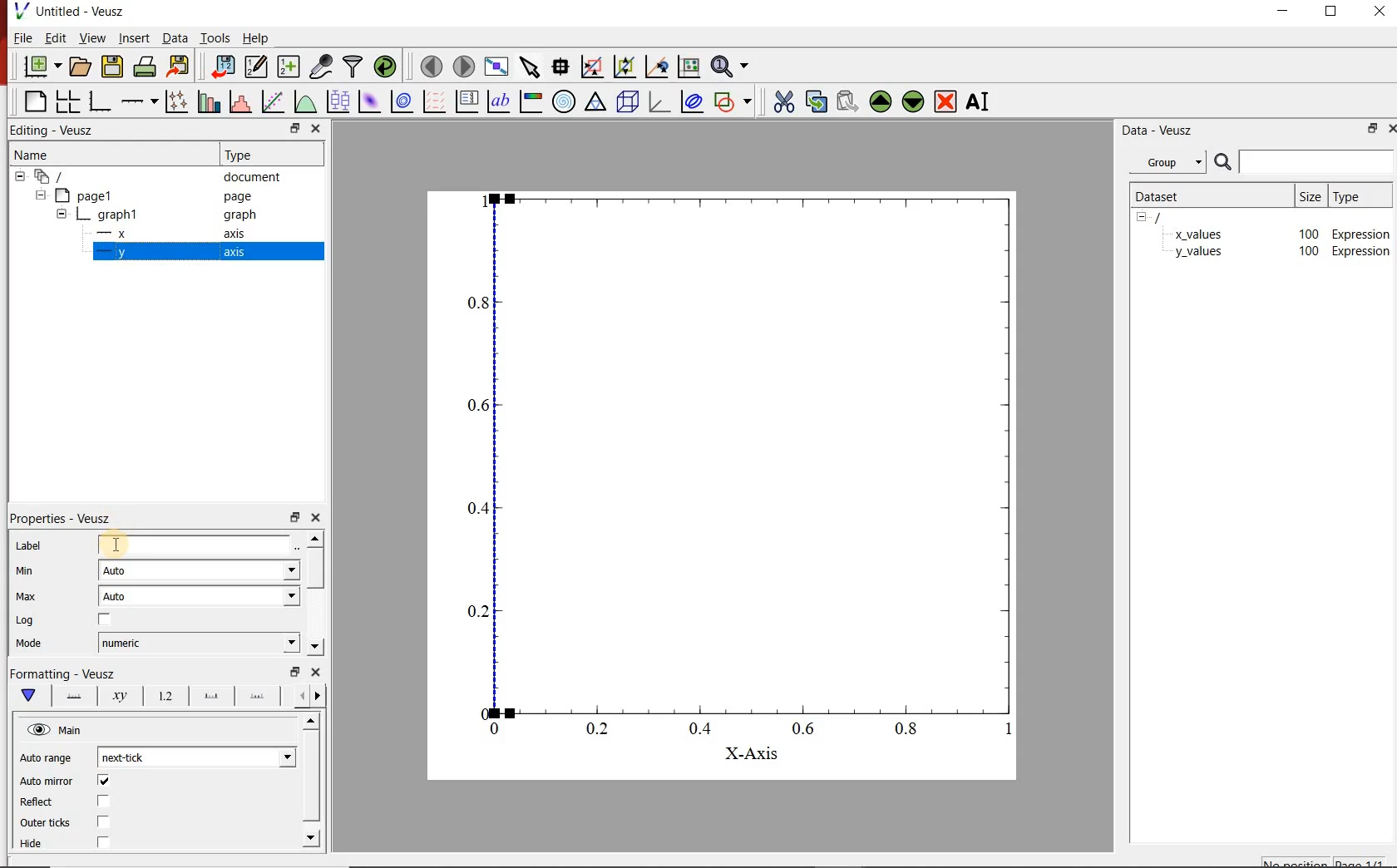  What do you see at coordinates (294, 671) in the screenshot?
I see `restore down` at bounding box center [294, 671].